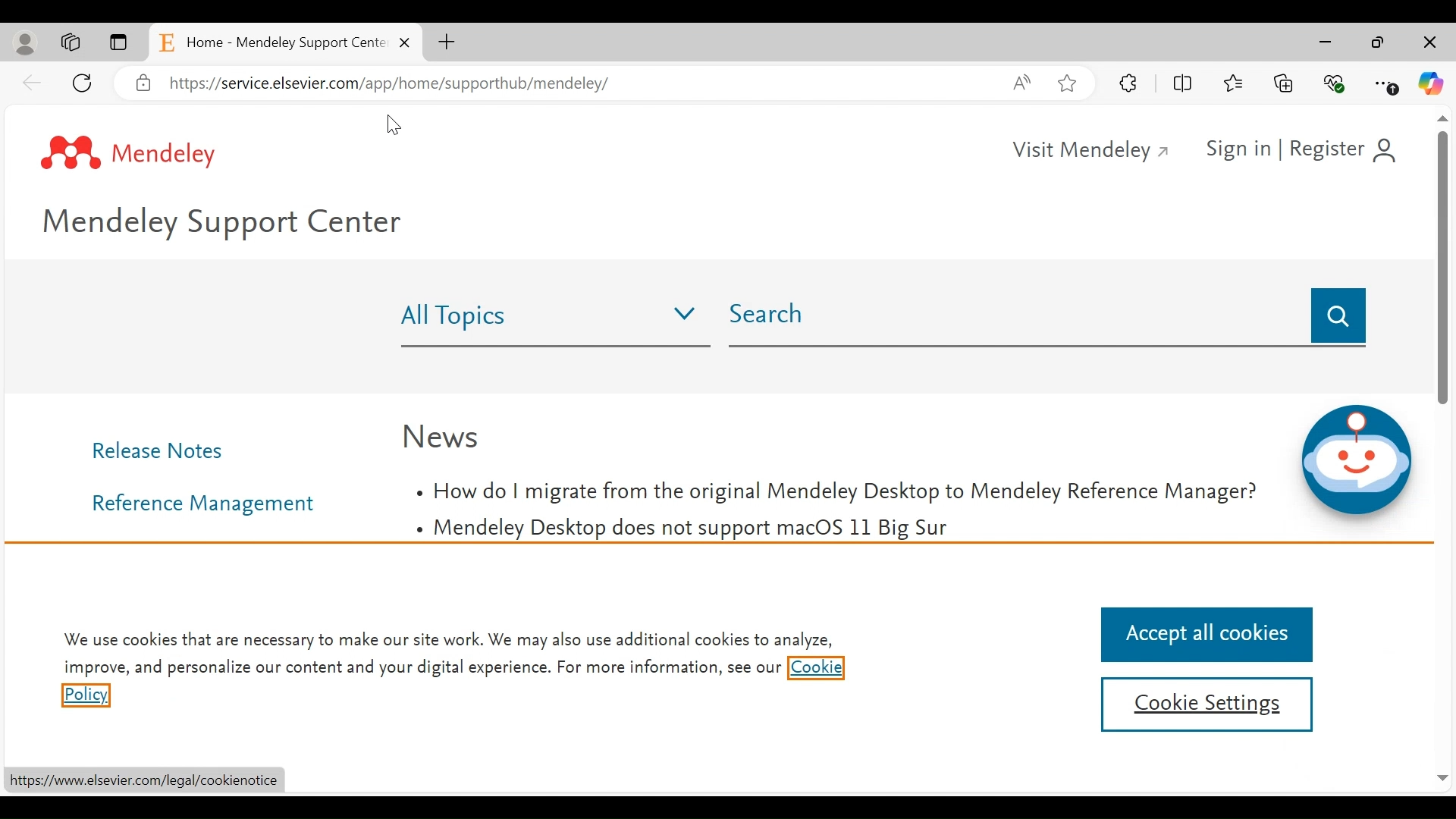  What do you see at coordinates (1068, 83) in the screenshot?
I see `Add this page to favorites` at bounding box center [1068, 83].